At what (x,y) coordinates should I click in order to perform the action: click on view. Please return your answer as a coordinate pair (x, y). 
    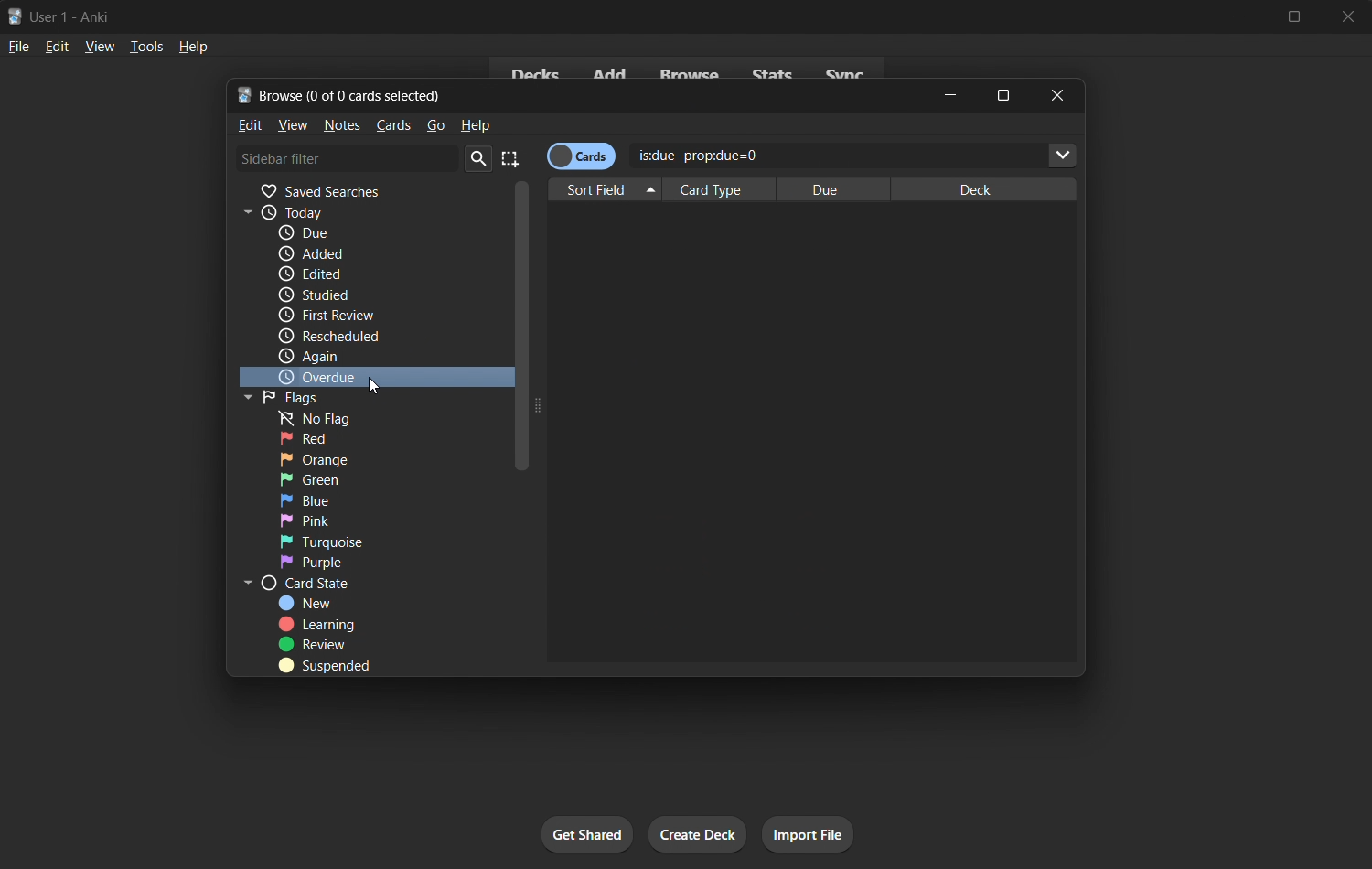
    Looking at the image, I should click on (294, 126).